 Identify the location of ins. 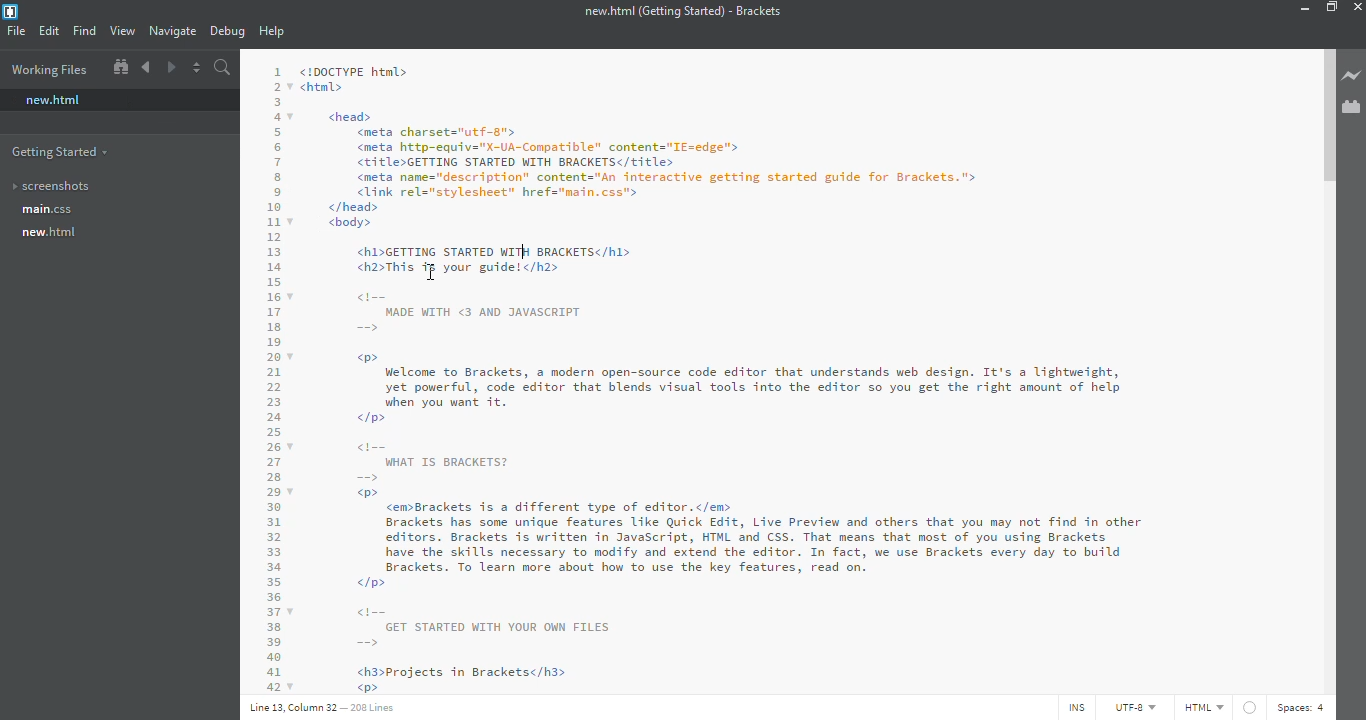
(1074, 708).